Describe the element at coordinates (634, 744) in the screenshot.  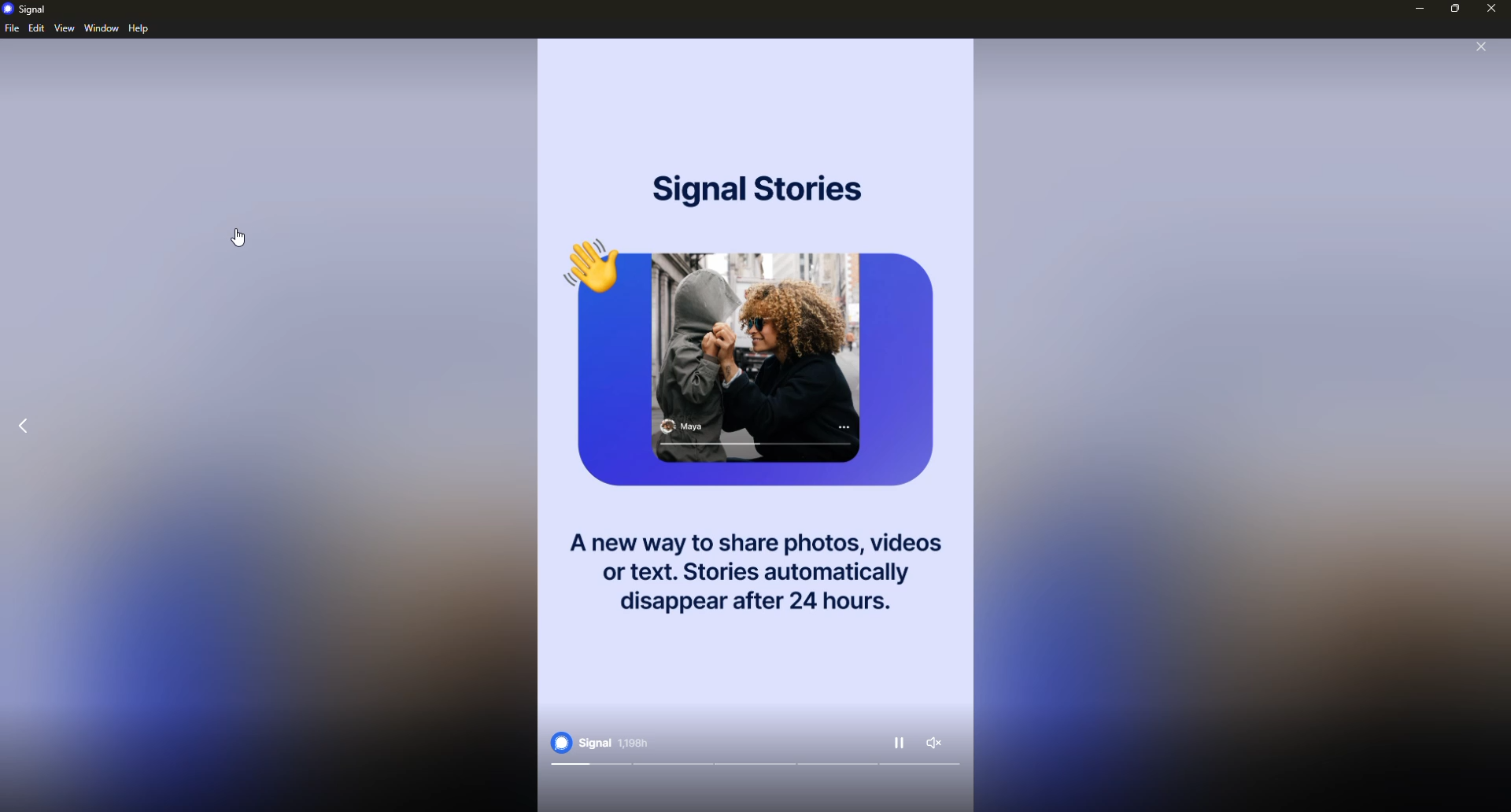
I see `1,198h` at that location.